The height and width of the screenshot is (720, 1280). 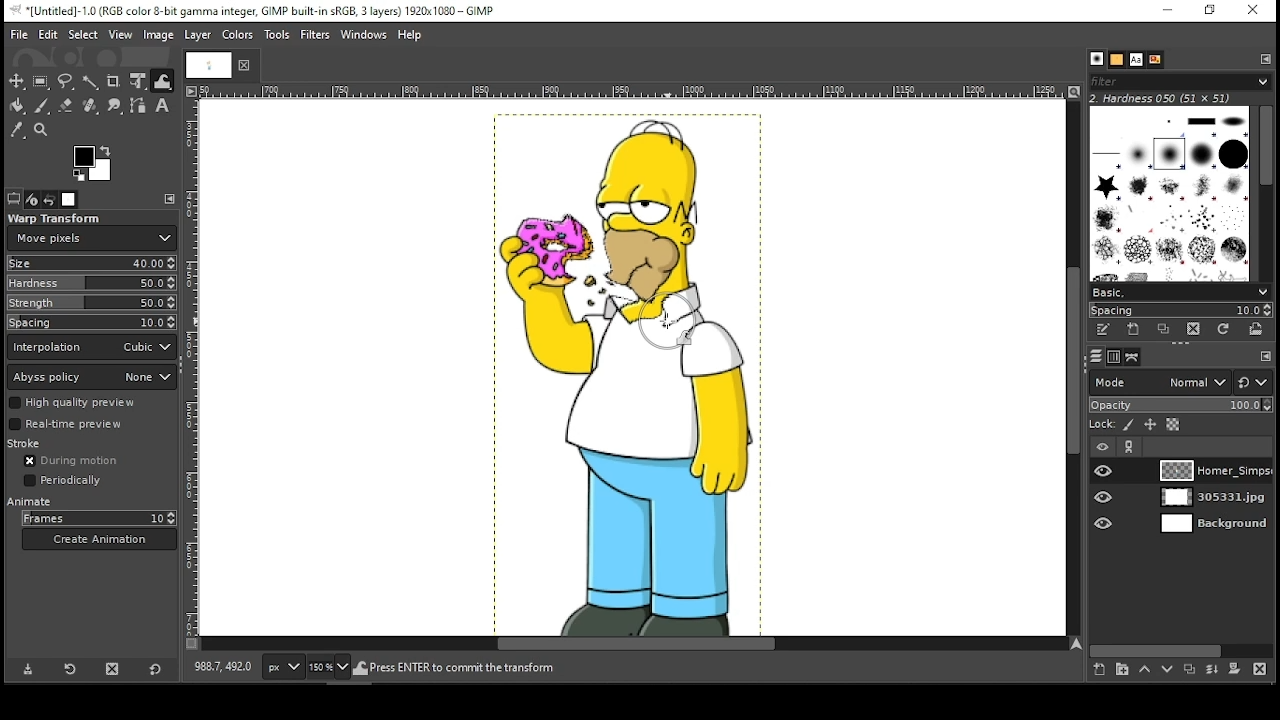 What do you see at coordinates (1268, 194) in the screenshot?
I see `scroll bar` at bounding box center [1268, 194].